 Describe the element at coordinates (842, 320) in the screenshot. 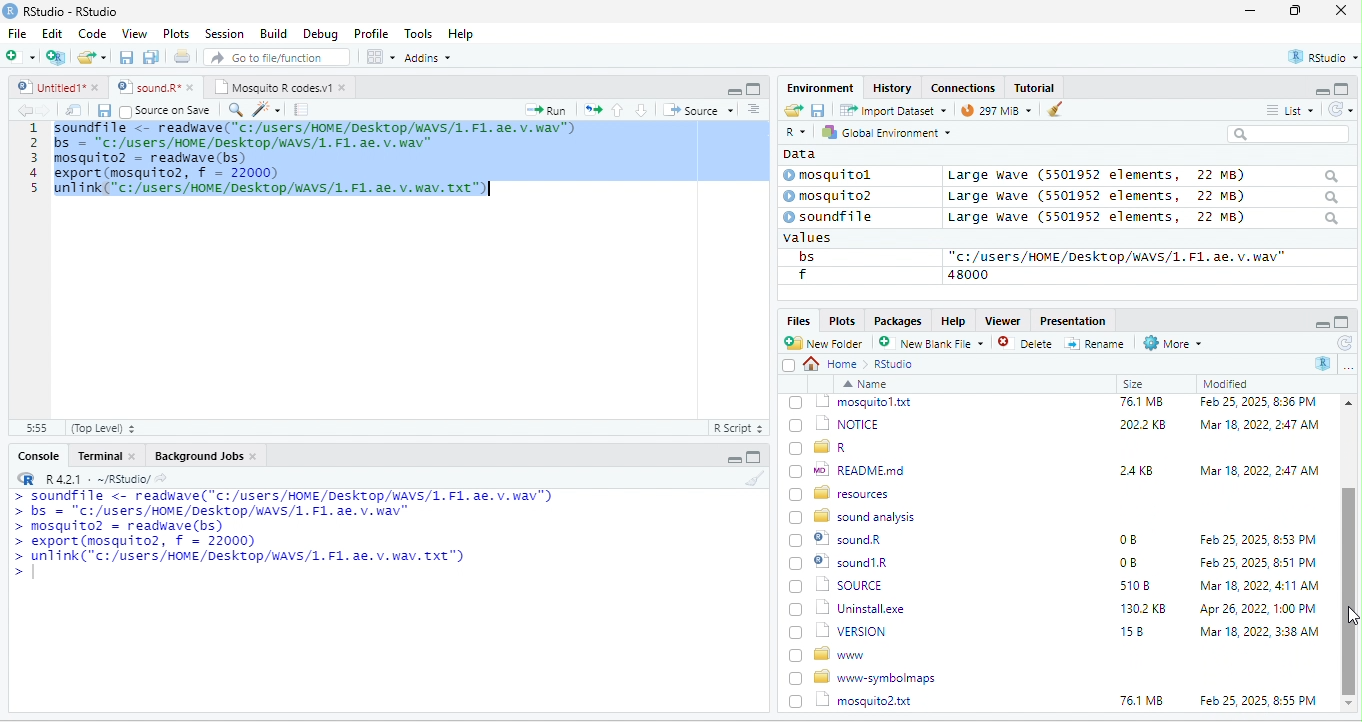

I see `Plots` at that location.